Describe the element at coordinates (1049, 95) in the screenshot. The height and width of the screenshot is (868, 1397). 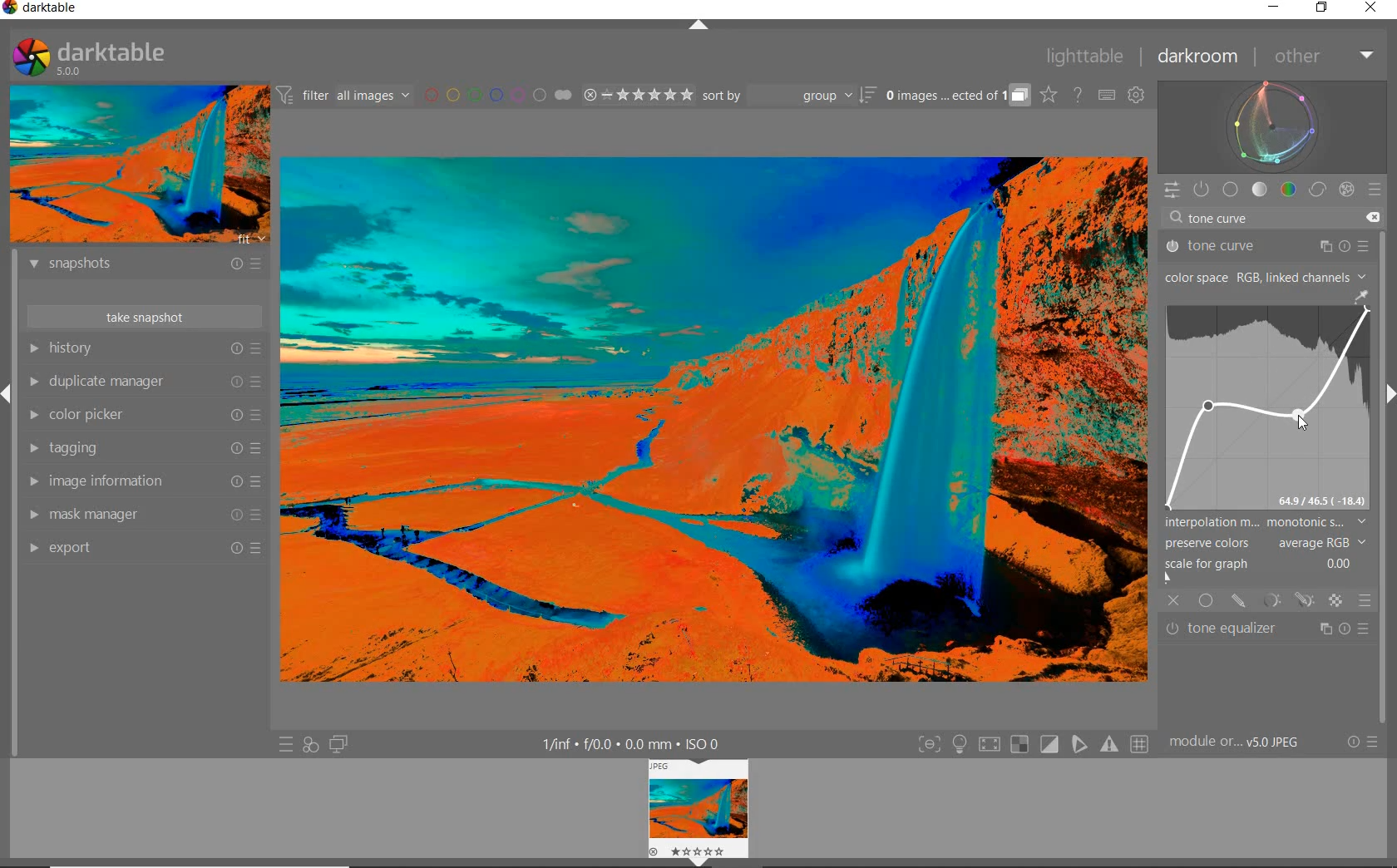
I see `CLICK TO CHANGE THE OVERLAYS SHOWN ON THUMBNAILS` at that location.